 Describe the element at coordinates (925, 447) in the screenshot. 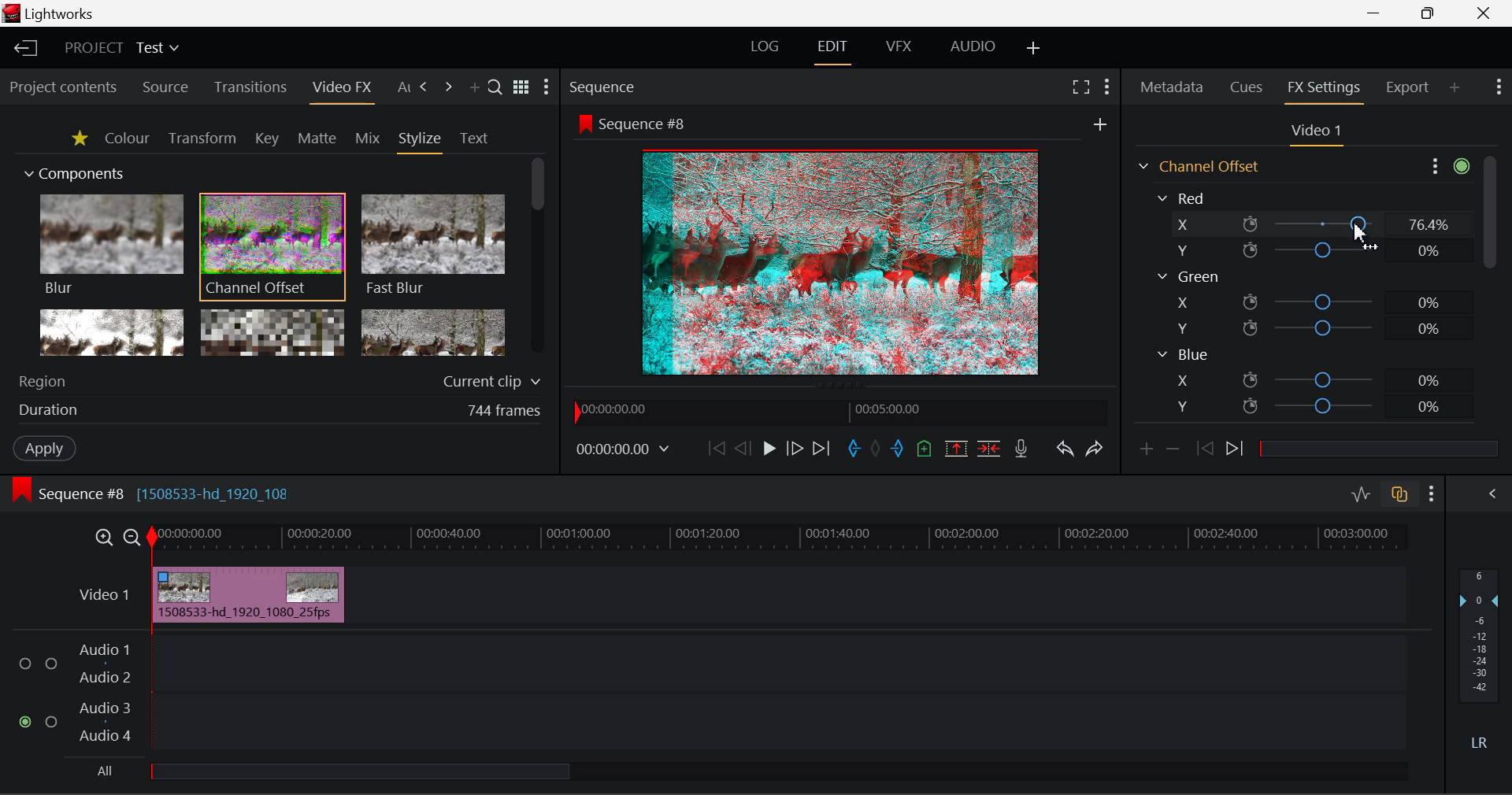

I see `Mark Cue` at that location.